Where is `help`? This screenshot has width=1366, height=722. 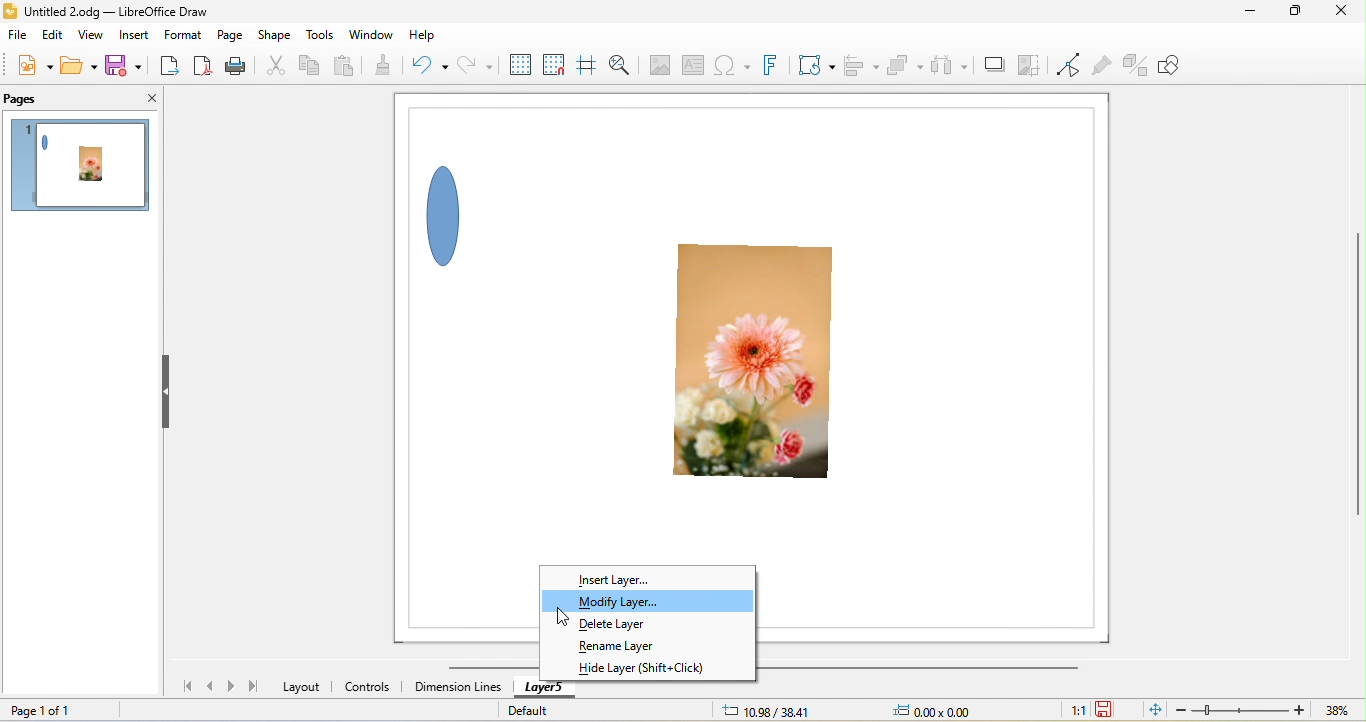 help is located at coordinates (424, 36).